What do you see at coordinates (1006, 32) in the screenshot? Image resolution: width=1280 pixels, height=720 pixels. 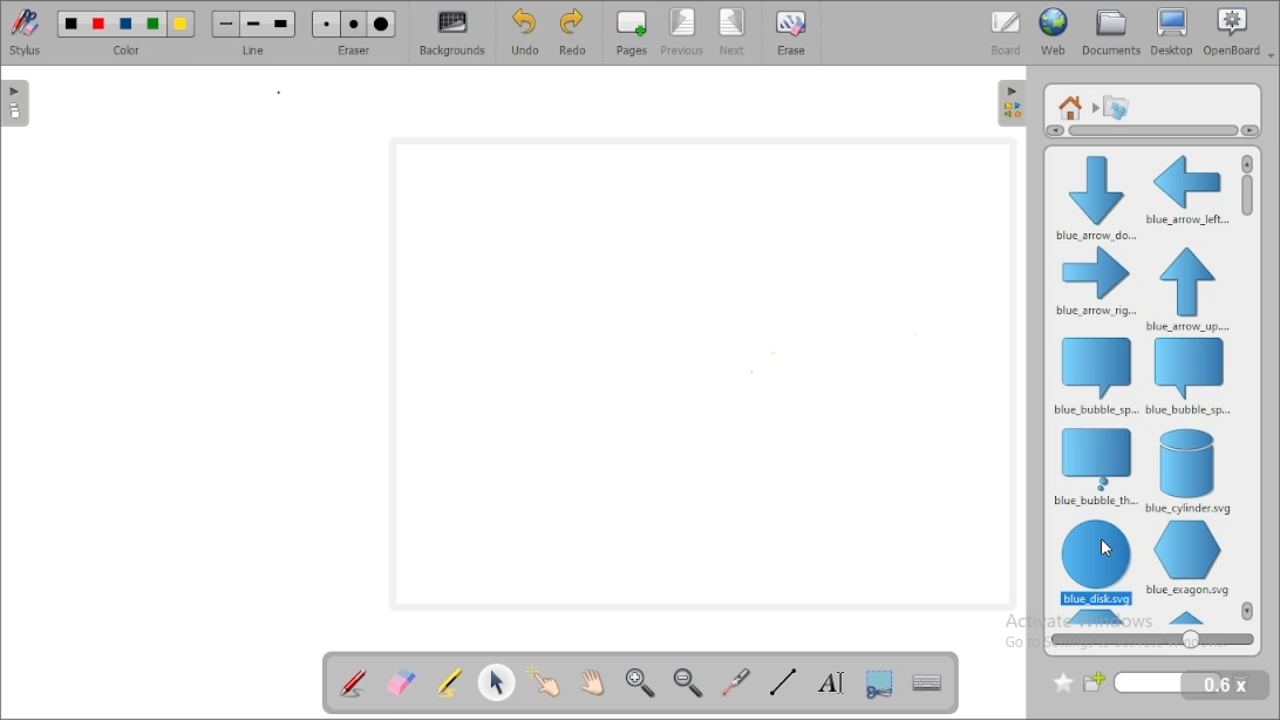 I see `board` at bounding box center [1006, 32].